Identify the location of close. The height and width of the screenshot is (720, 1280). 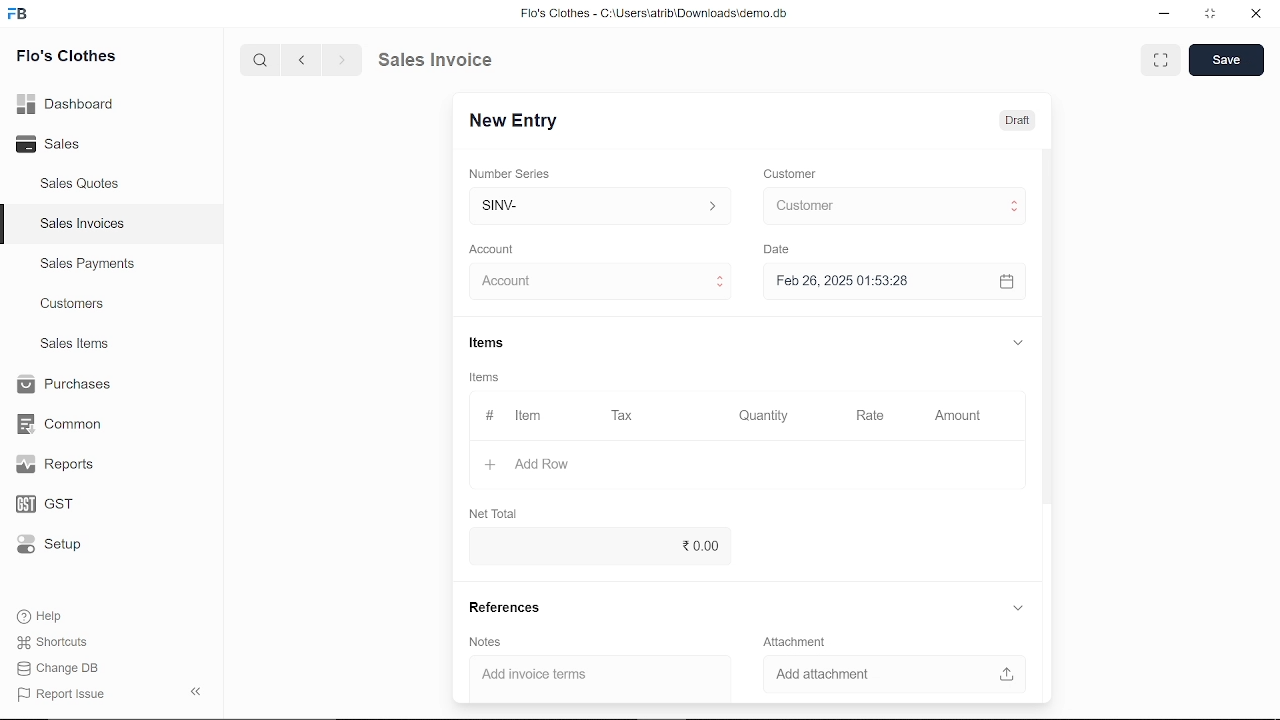
(1254, 15).